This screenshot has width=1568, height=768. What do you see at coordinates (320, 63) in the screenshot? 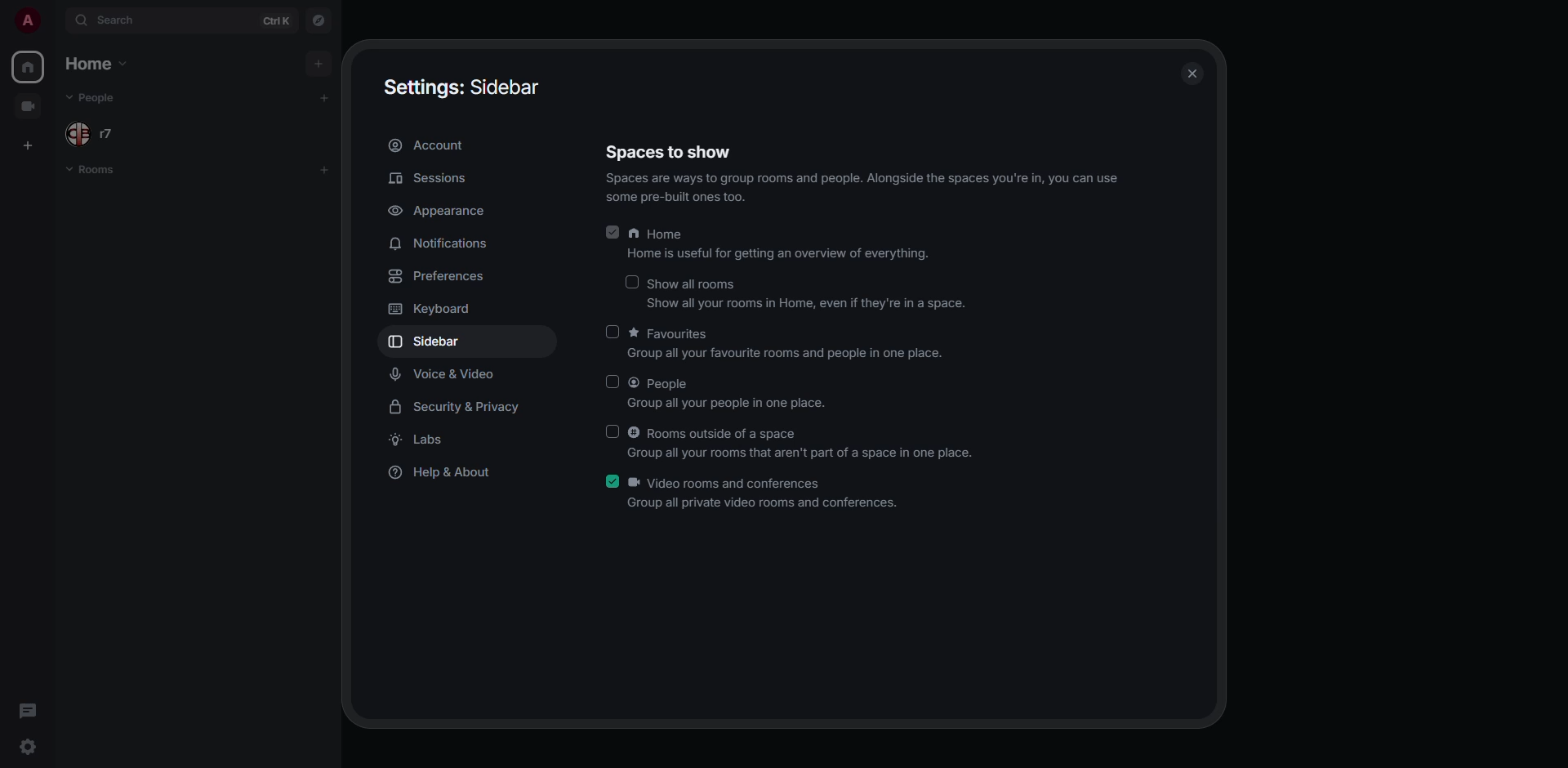
I see `add` at bounding box center [320, 63].